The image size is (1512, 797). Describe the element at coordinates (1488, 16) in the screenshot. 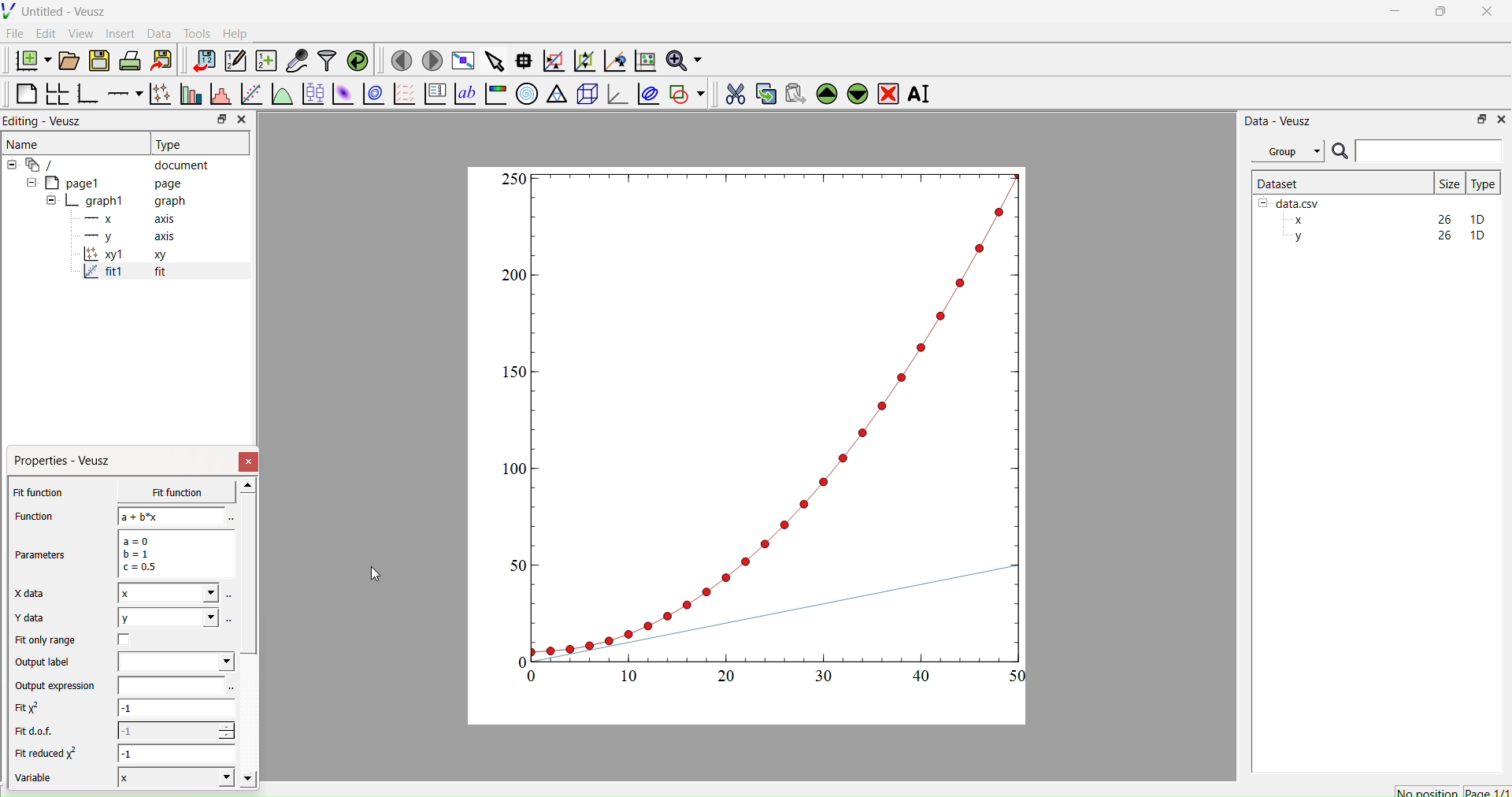

I see `Close` at that location.